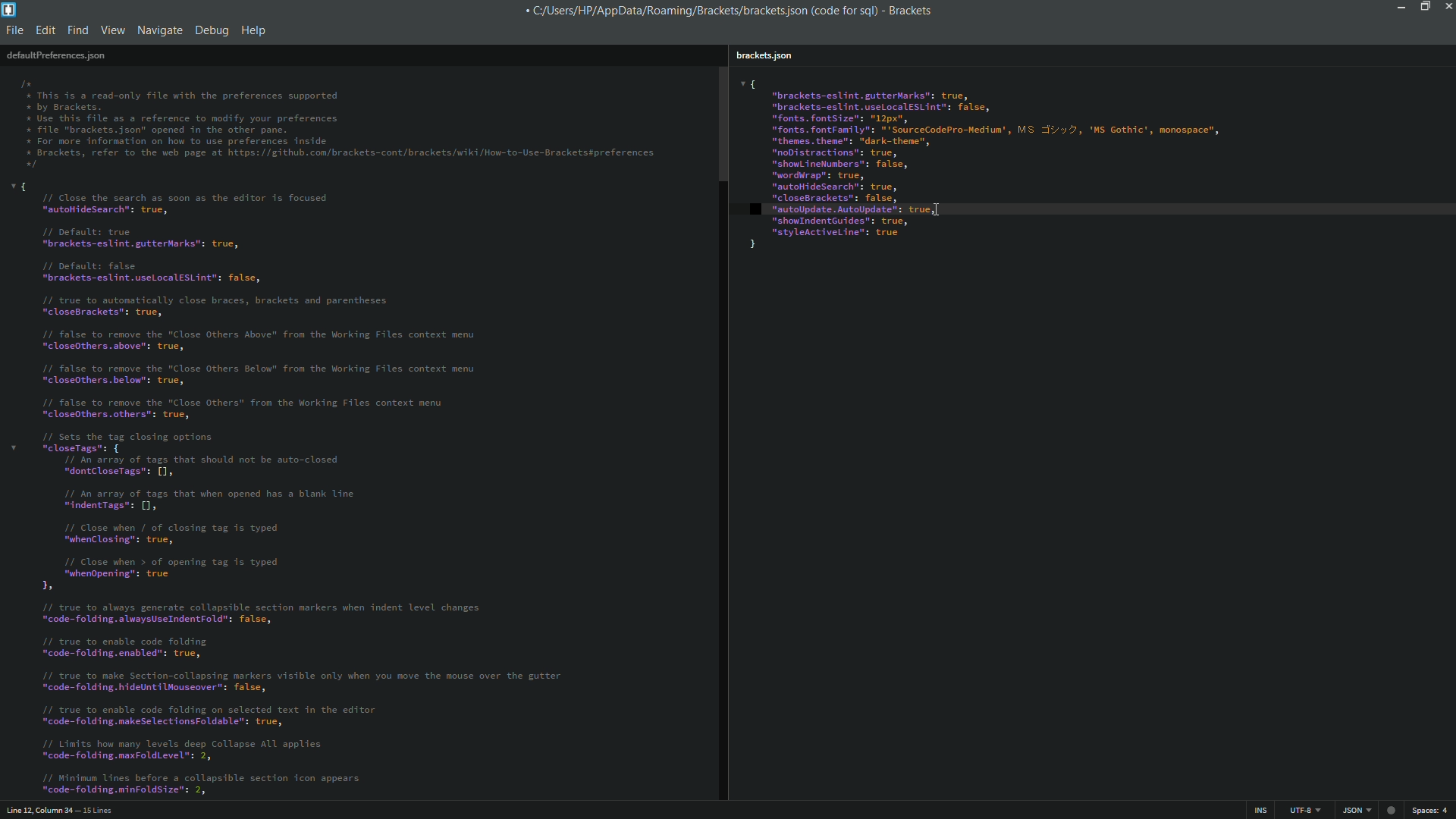 This screenshot has height=819, width=1456. What do you see at coordinates (255, 28) in the screenshot?
I see `help menu` at bounding box center [255, 28].